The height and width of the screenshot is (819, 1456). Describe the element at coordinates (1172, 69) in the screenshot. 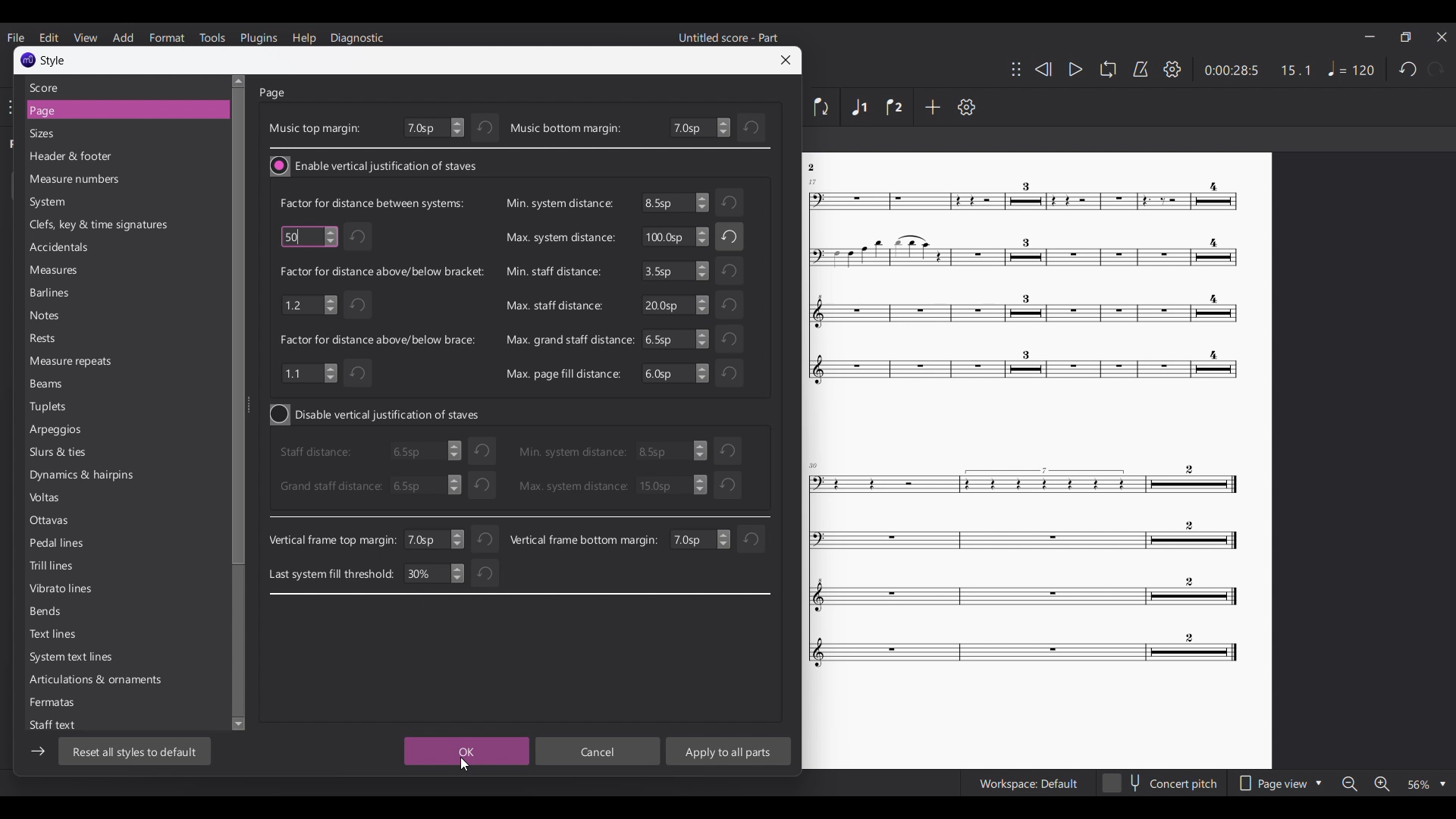

I see `Settings` at that location.